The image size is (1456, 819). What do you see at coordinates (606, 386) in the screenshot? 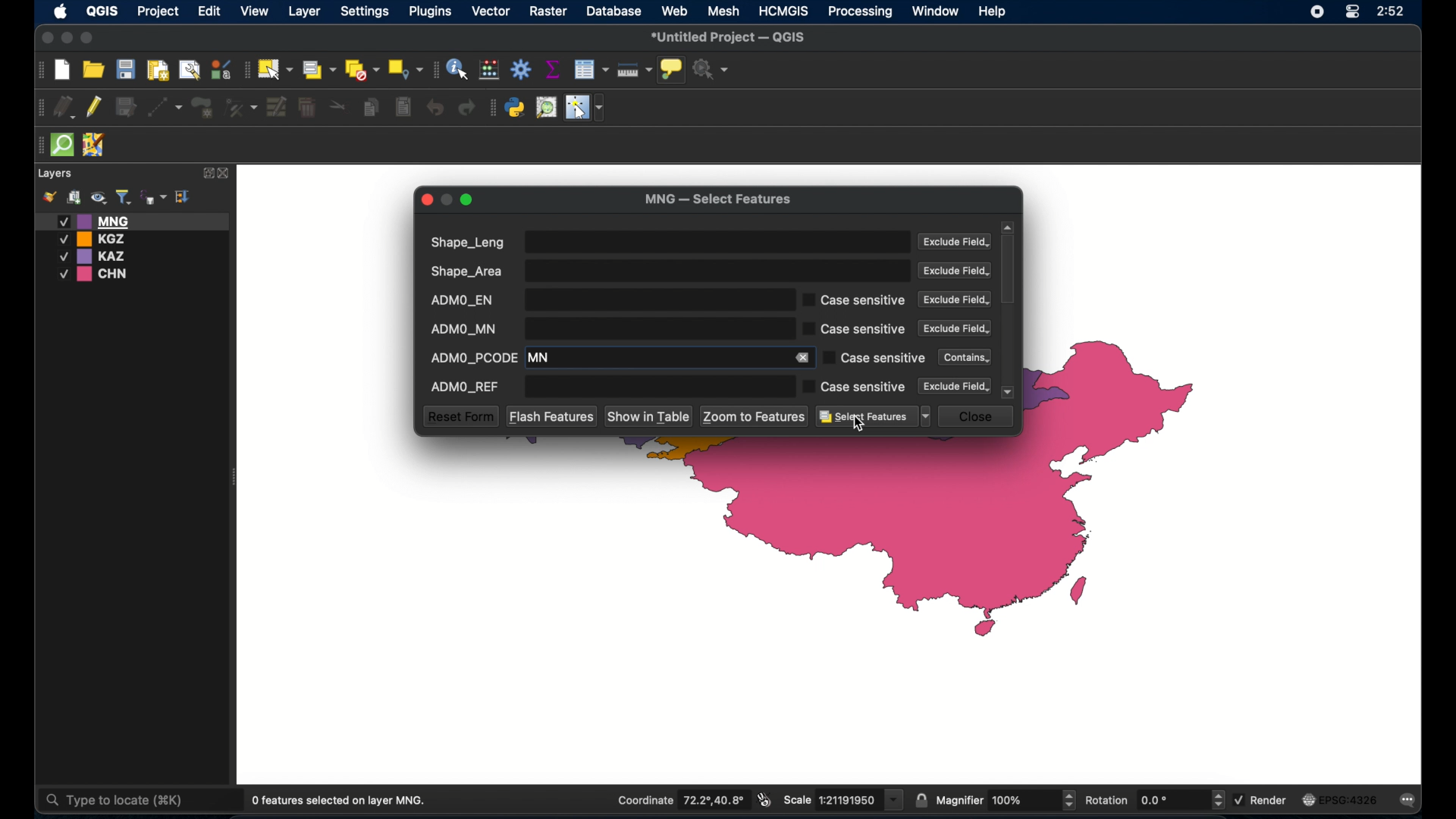
I see `ADMP_REF` at bounding box center [606, 386].